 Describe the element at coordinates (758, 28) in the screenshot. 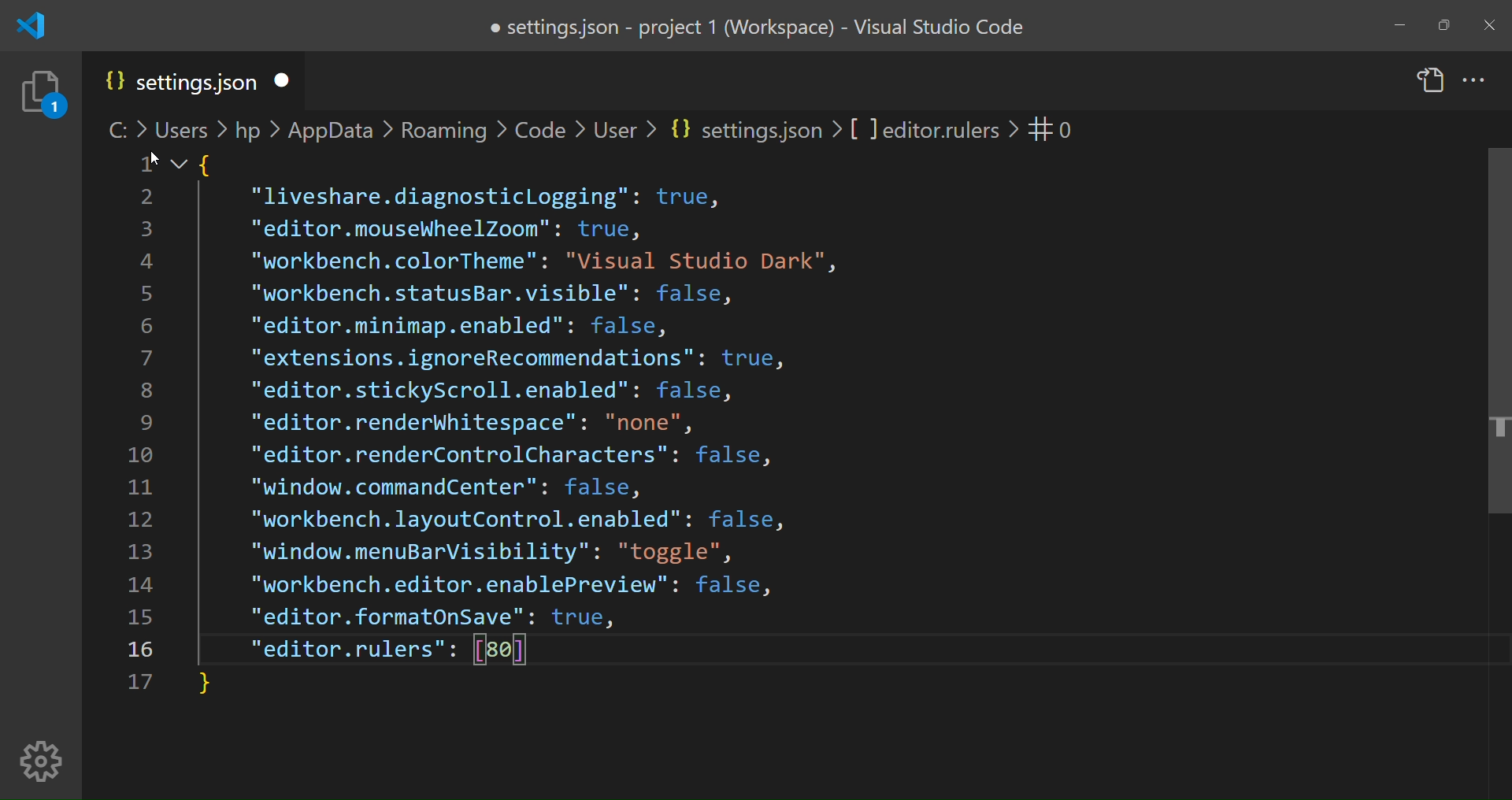

I see `title` at that location.